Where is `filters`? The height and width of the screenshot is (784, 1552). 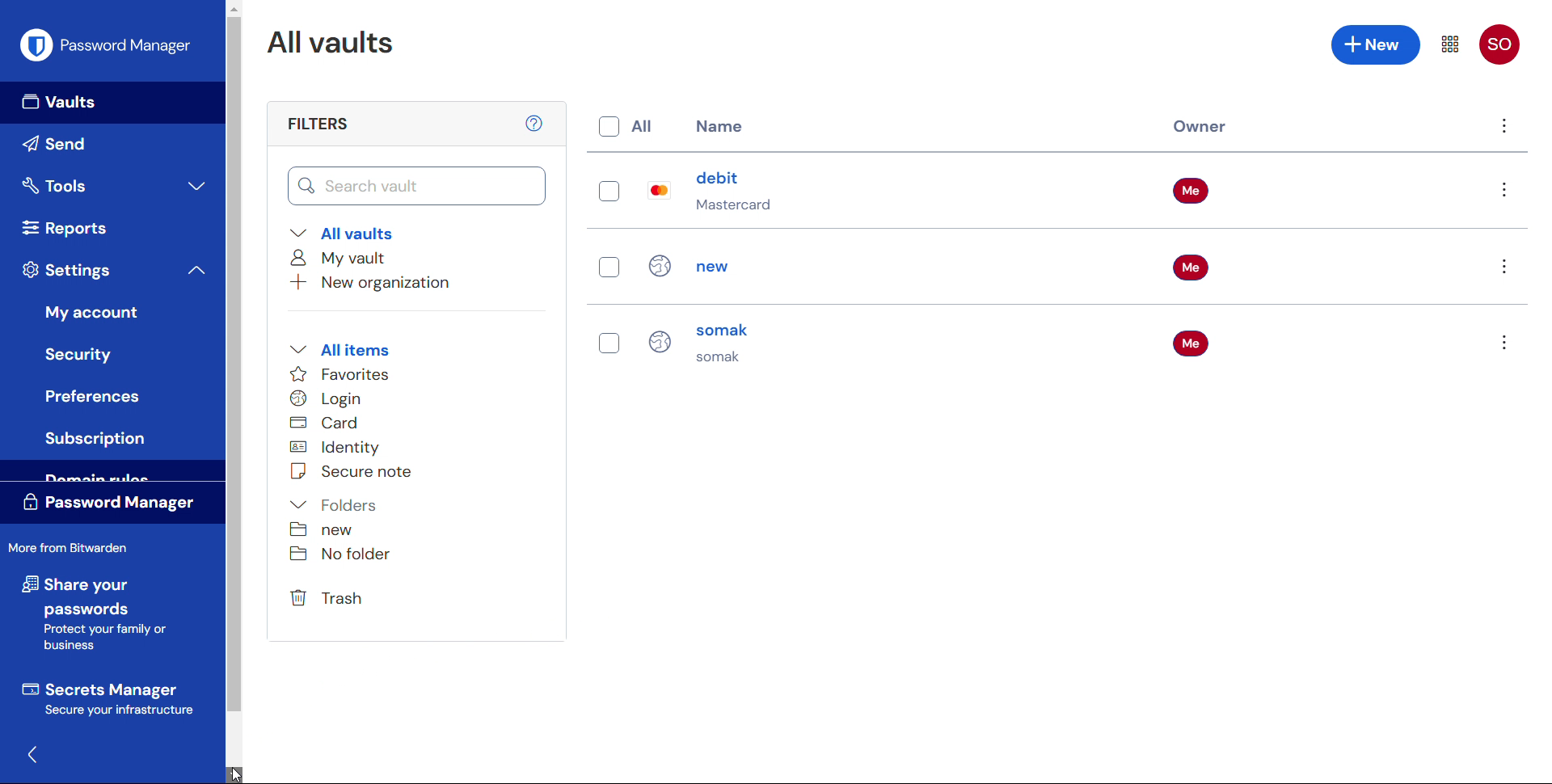
filters is located at coordinates (317, 124).